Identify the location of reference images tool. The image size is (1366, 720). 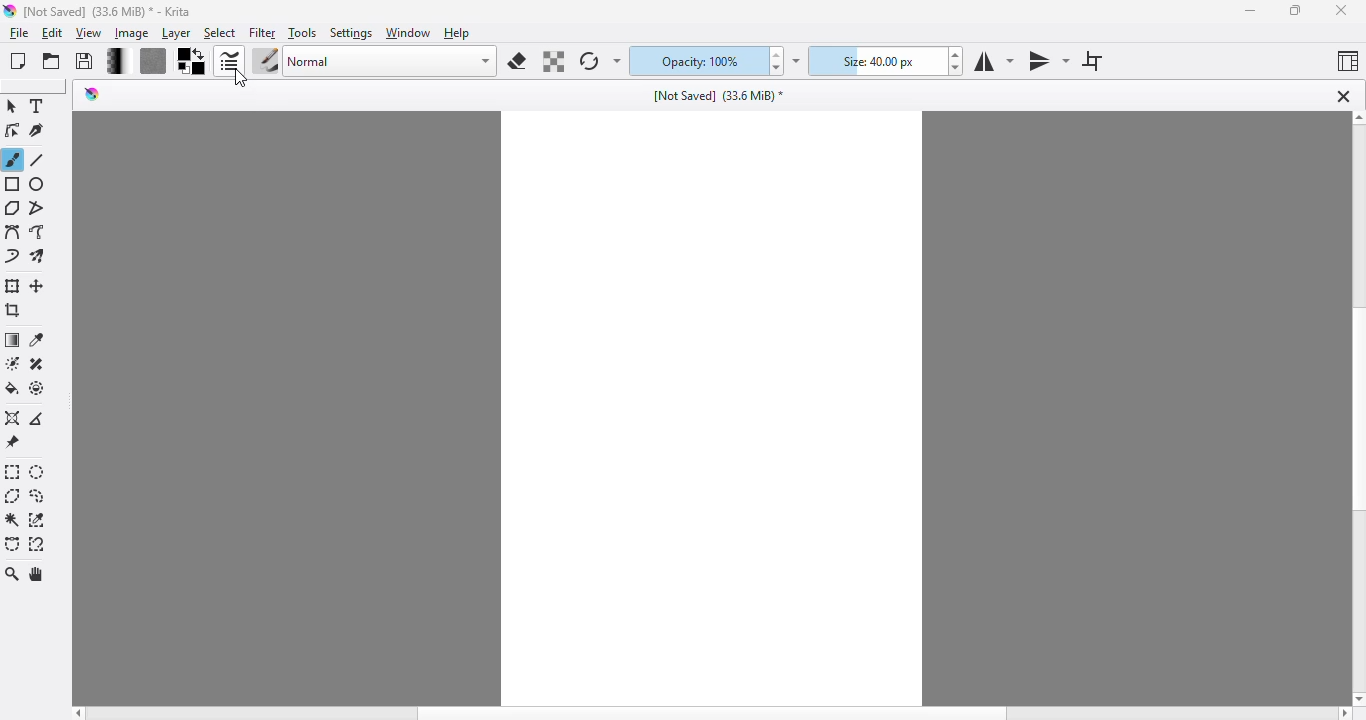
(12, 443).